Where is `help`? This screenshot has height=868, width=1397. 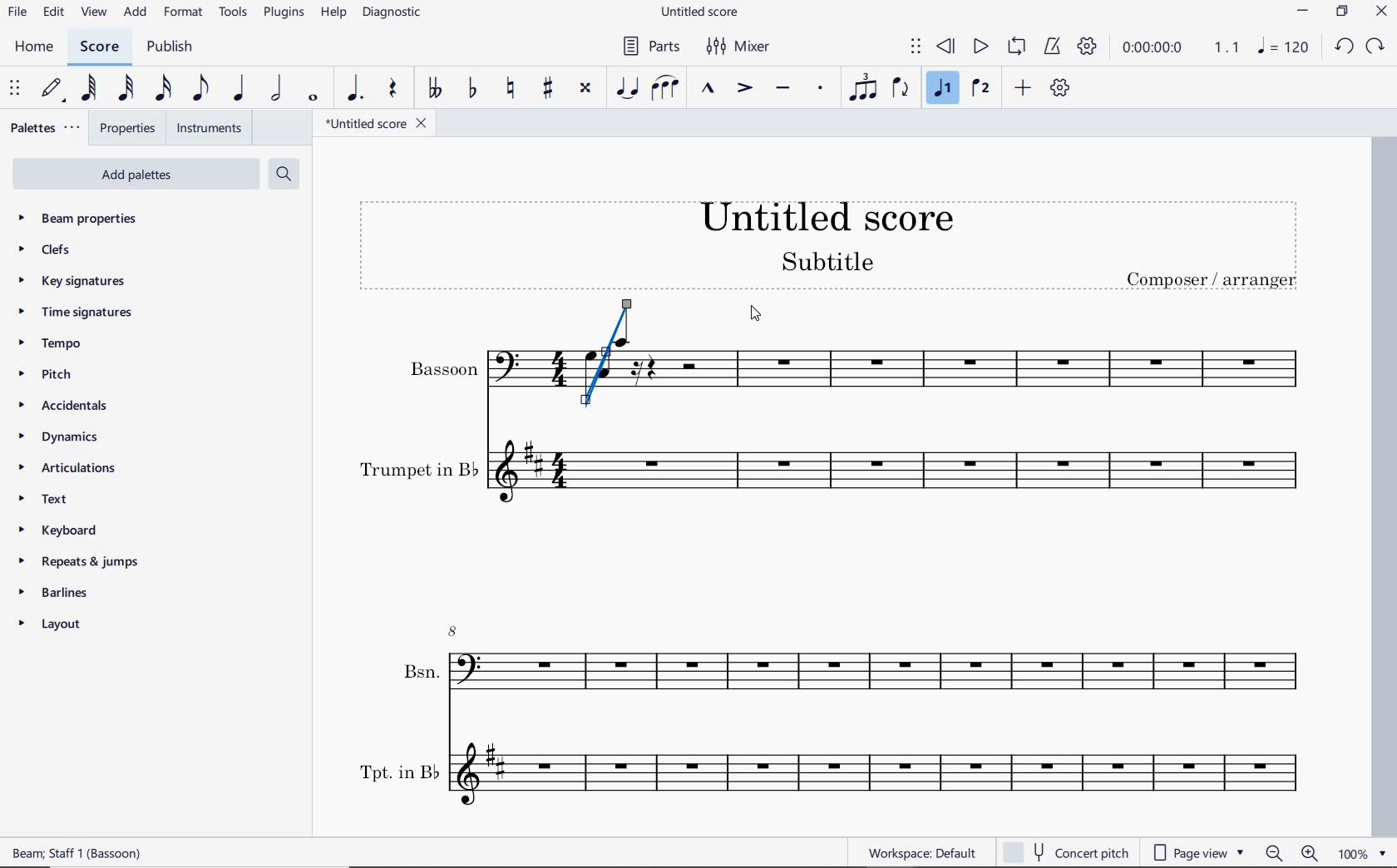 help is located at coordinates (333, 12).